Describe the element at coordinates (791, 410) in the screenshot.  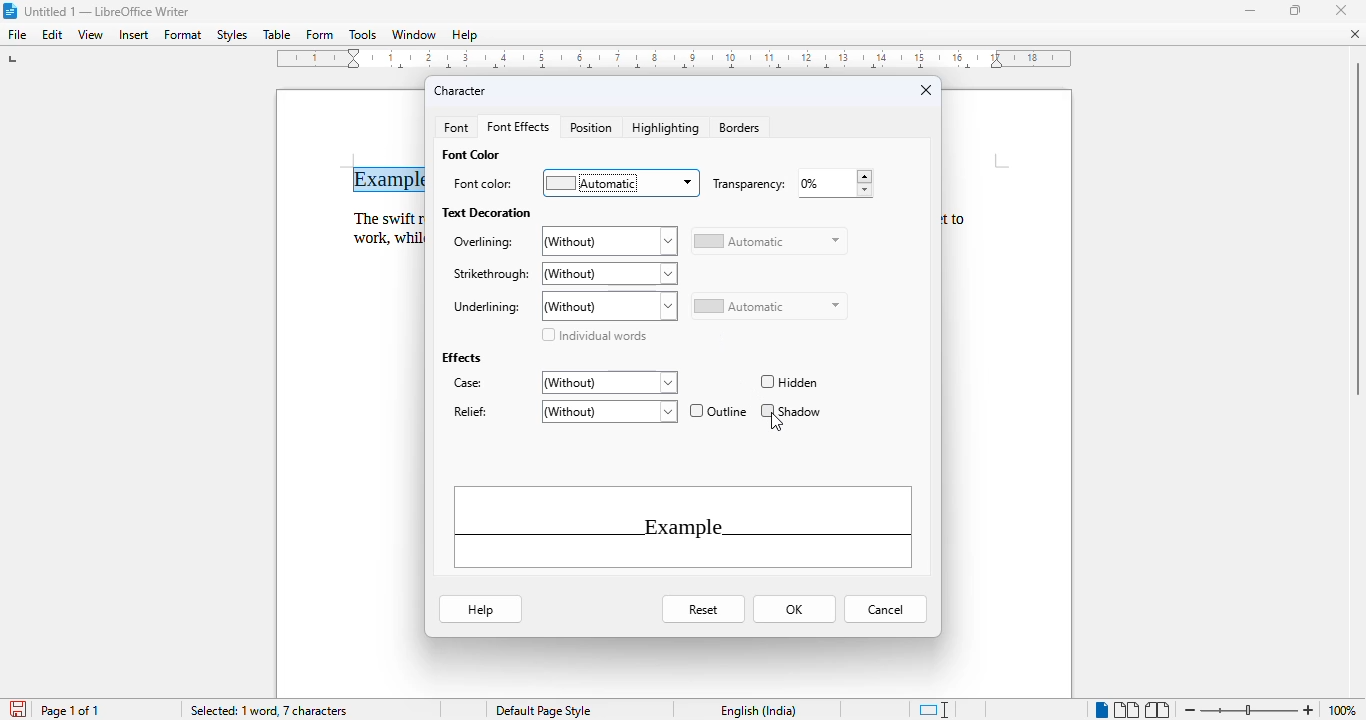
I see `shadow` at that location.